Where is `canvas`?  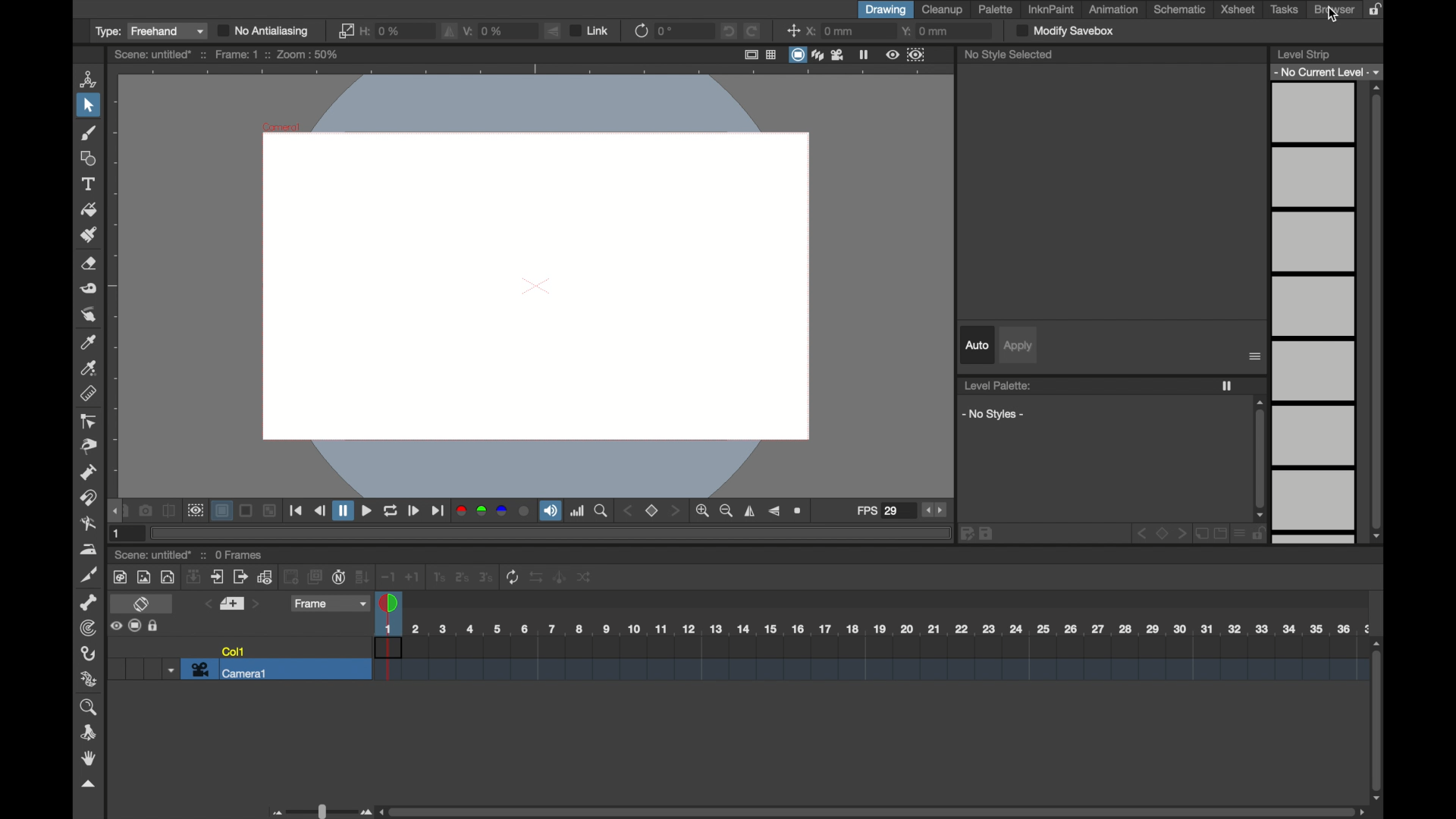
canvas is located at coordinates (532, 282).